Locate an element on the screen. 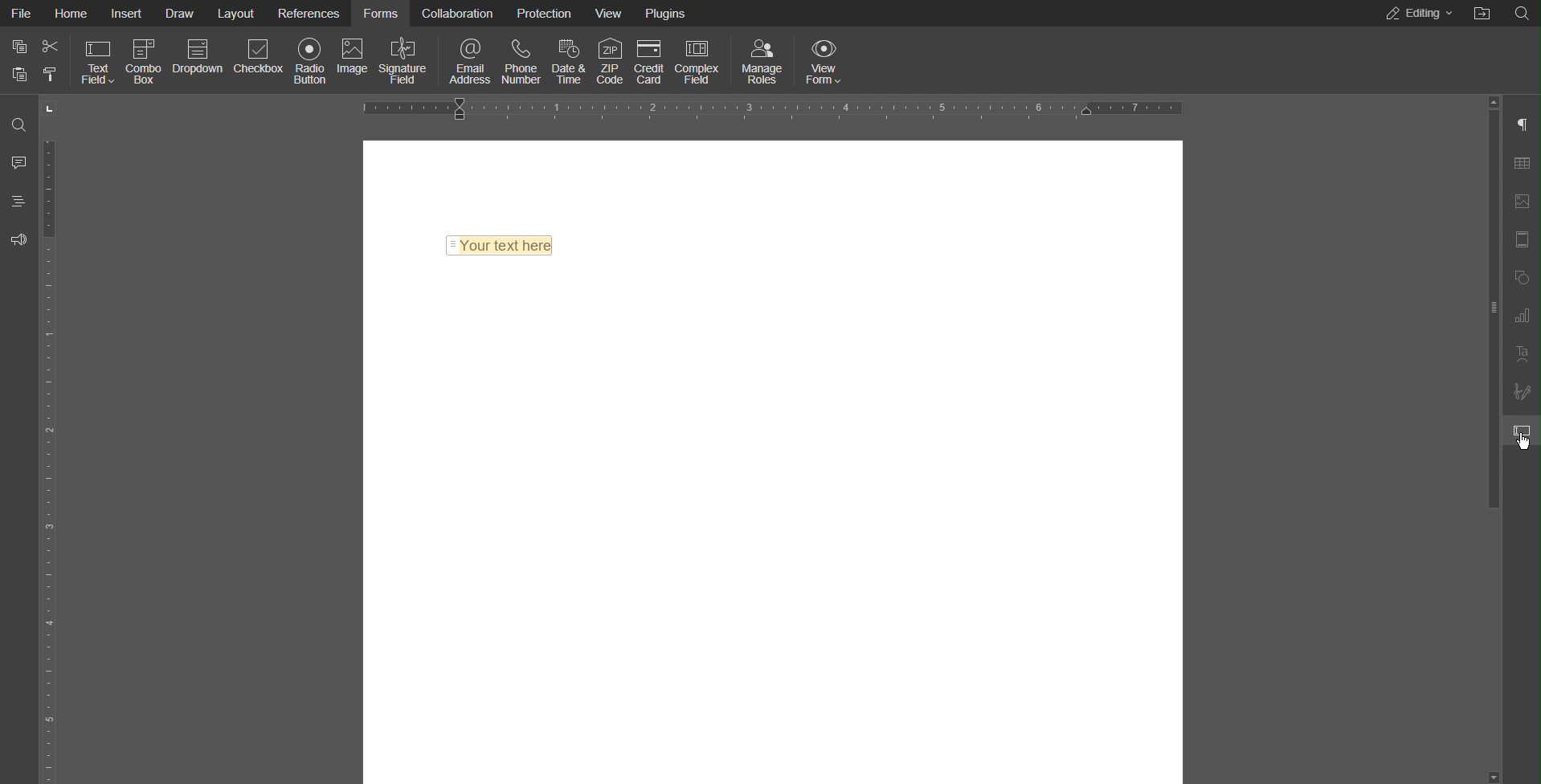 This screenshot has width=1541, height=784. Insert is located at coordinates (125, 12).